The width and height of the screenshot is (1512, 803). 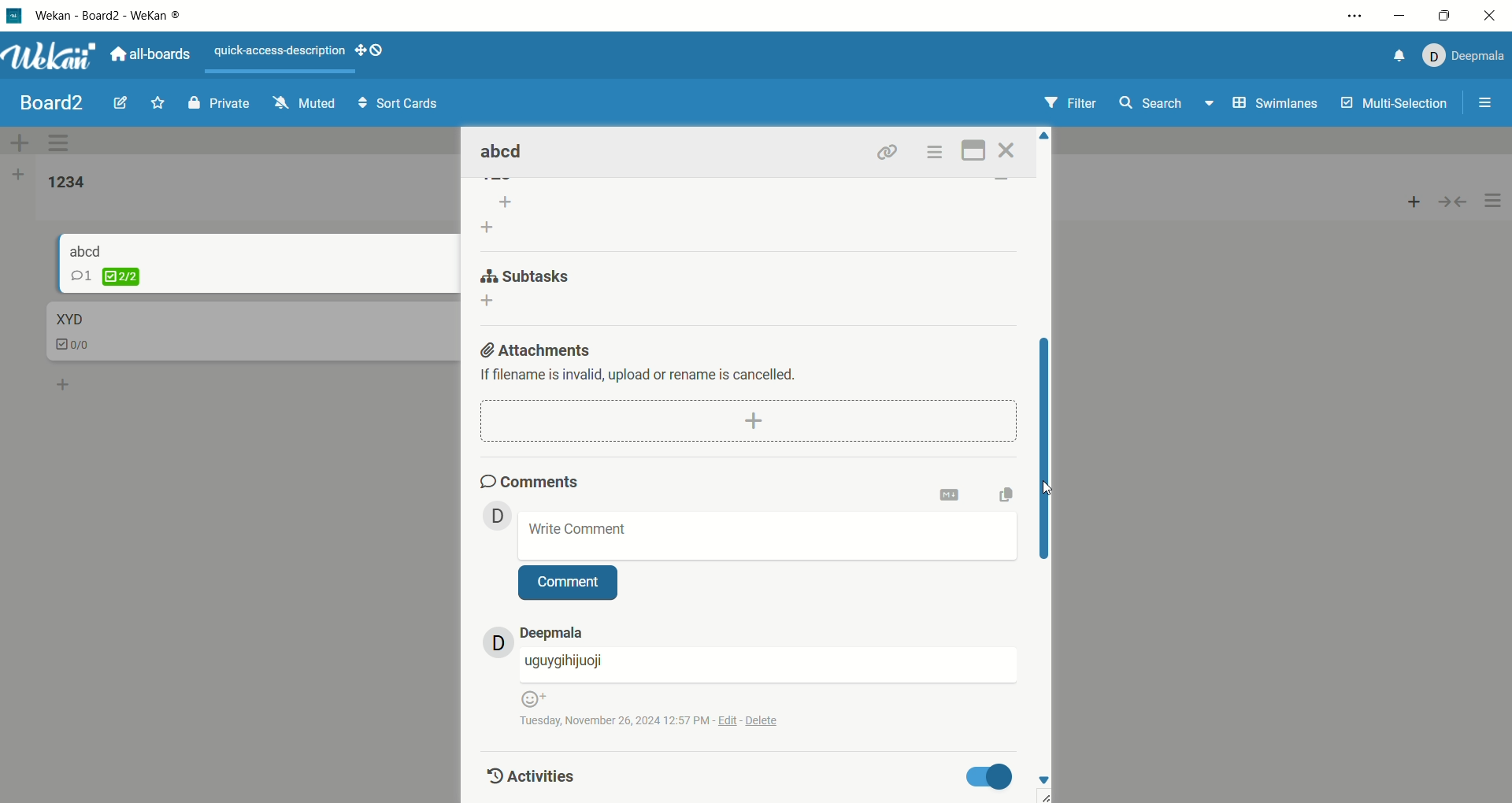 I want to click on cursor, so click(x=1043, y=490).